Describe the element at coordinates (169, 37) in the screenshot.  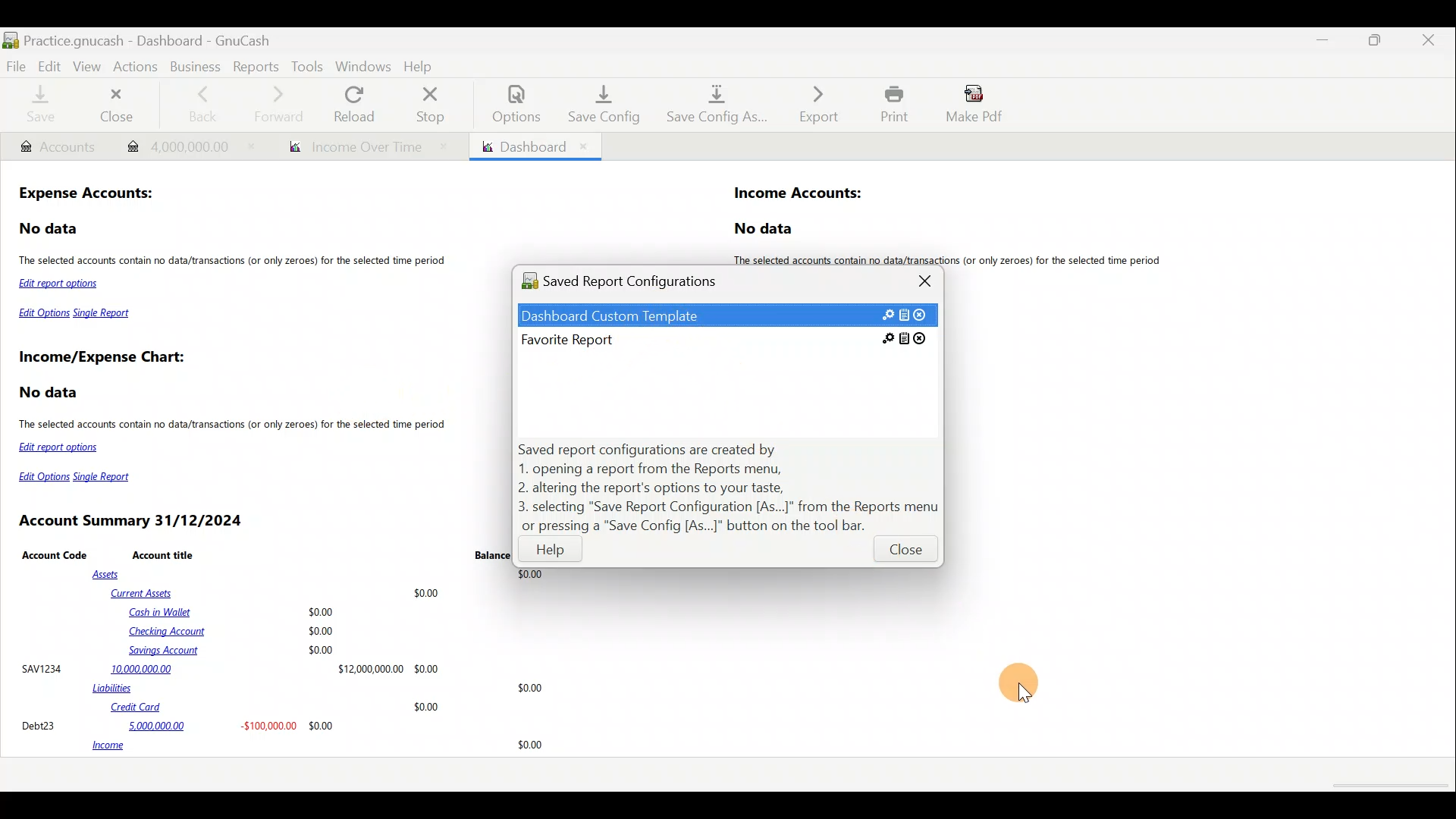
I see `Document name` at that location.